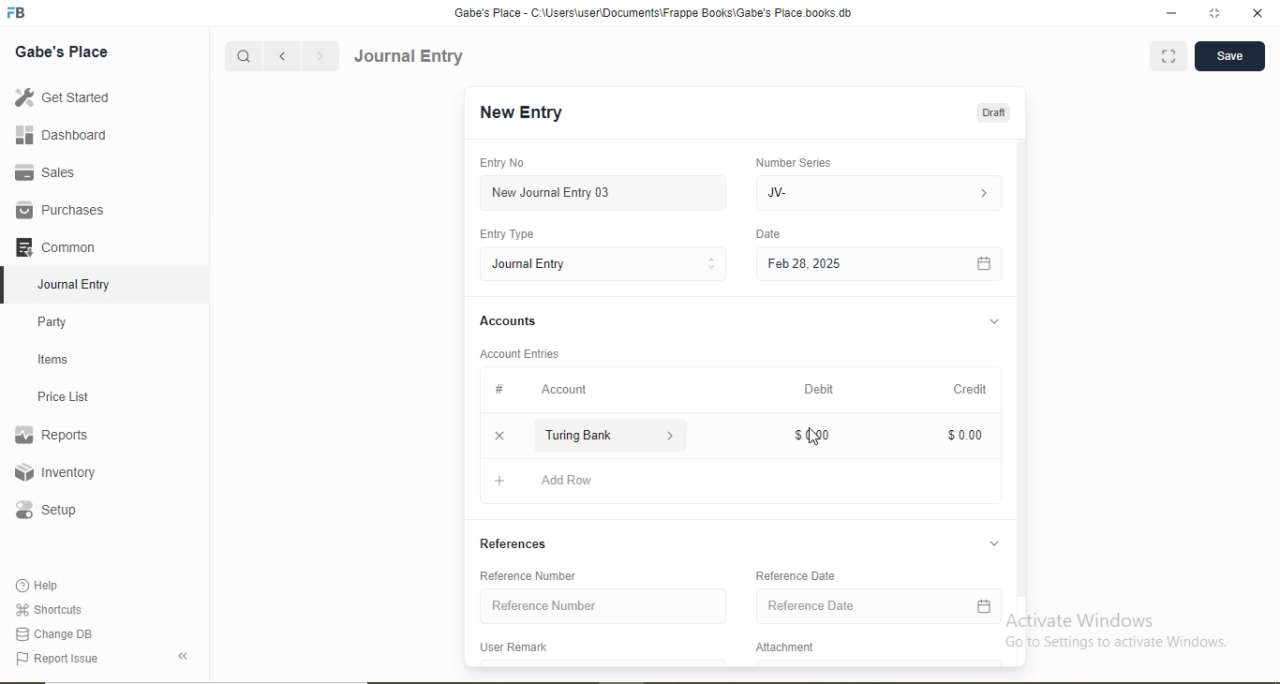  What do you see at coordinates (712, 264) in the screenshot?
I see `Stepper Buttons` at bounding box center [712, 264].